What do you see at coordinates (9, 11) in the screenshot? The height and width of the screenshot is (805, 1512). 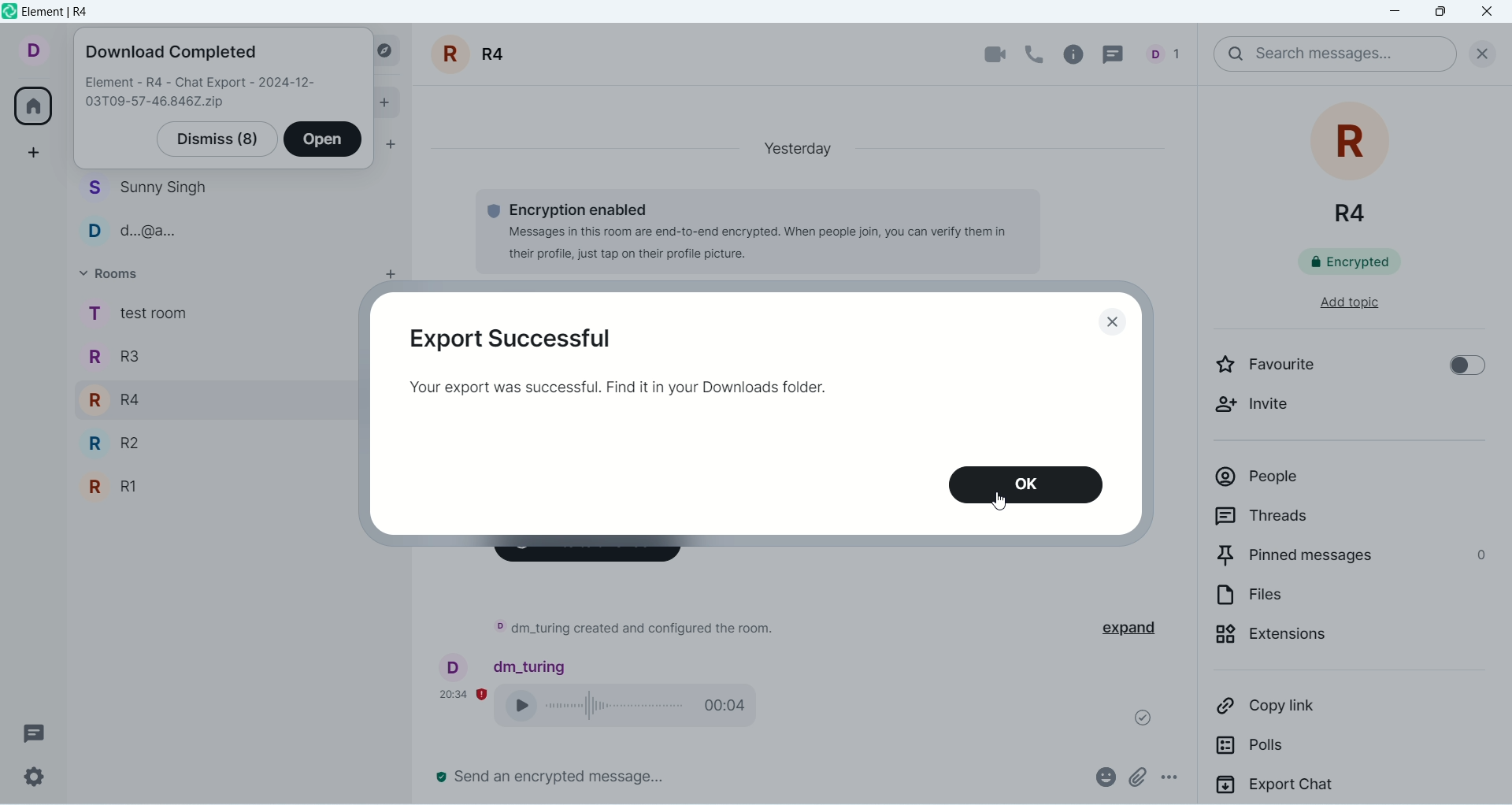 I see `logo` at bounding box center [9, 11].